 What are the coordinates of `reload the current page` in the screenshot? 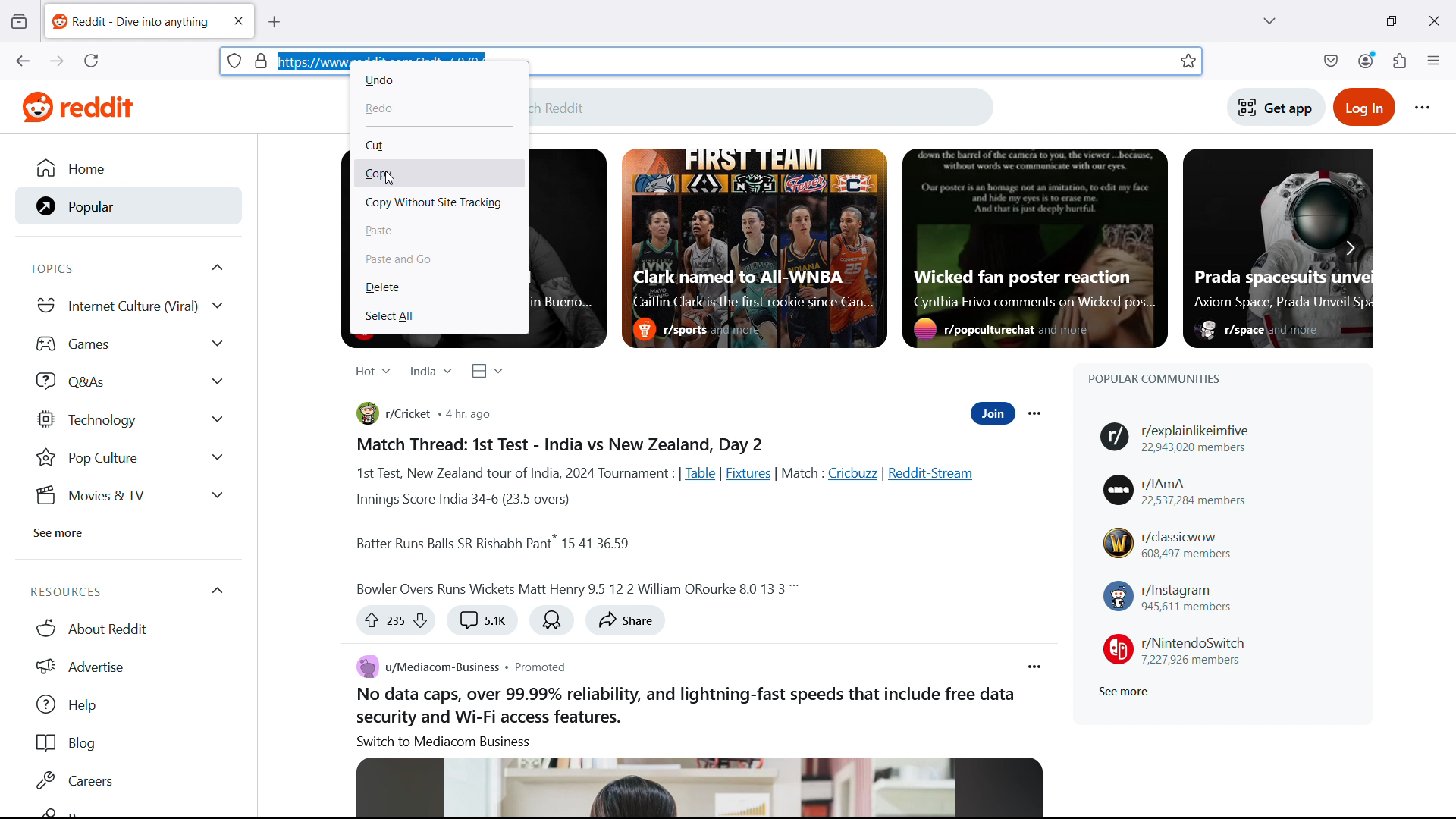 It's located at (93, 61).